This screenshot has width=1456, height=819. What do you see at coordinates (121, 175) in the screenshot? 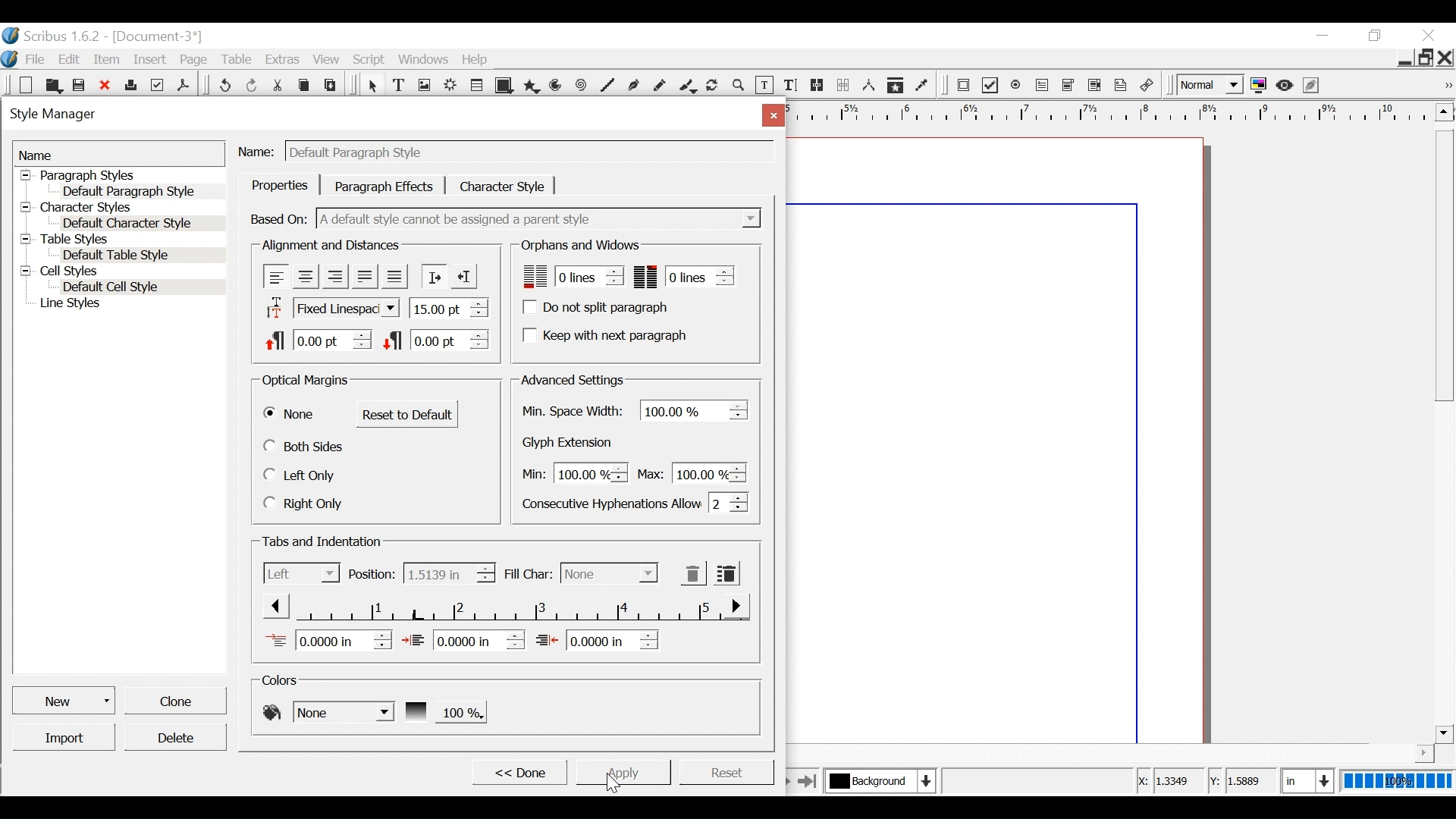
I see `Paragraph styles` at bounding box center [121, 175].